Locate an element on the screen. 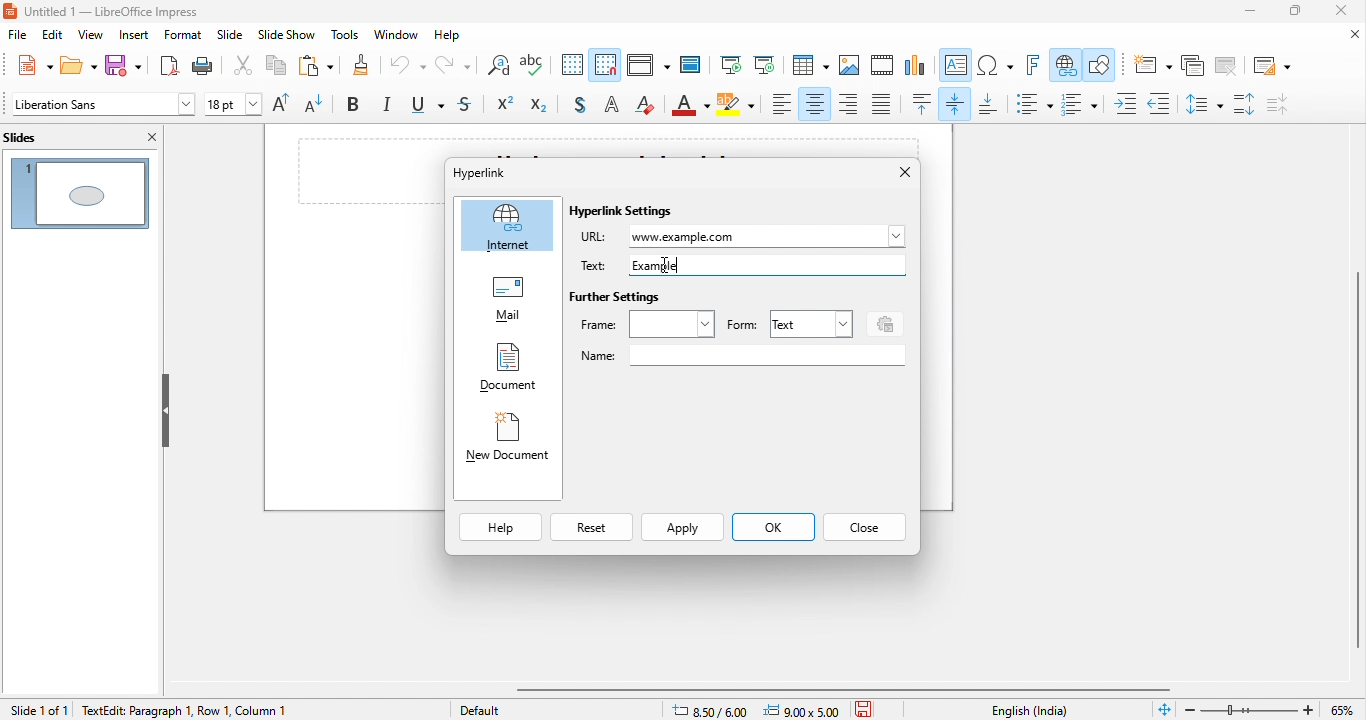  superscript is located at coordinates (506, 106).